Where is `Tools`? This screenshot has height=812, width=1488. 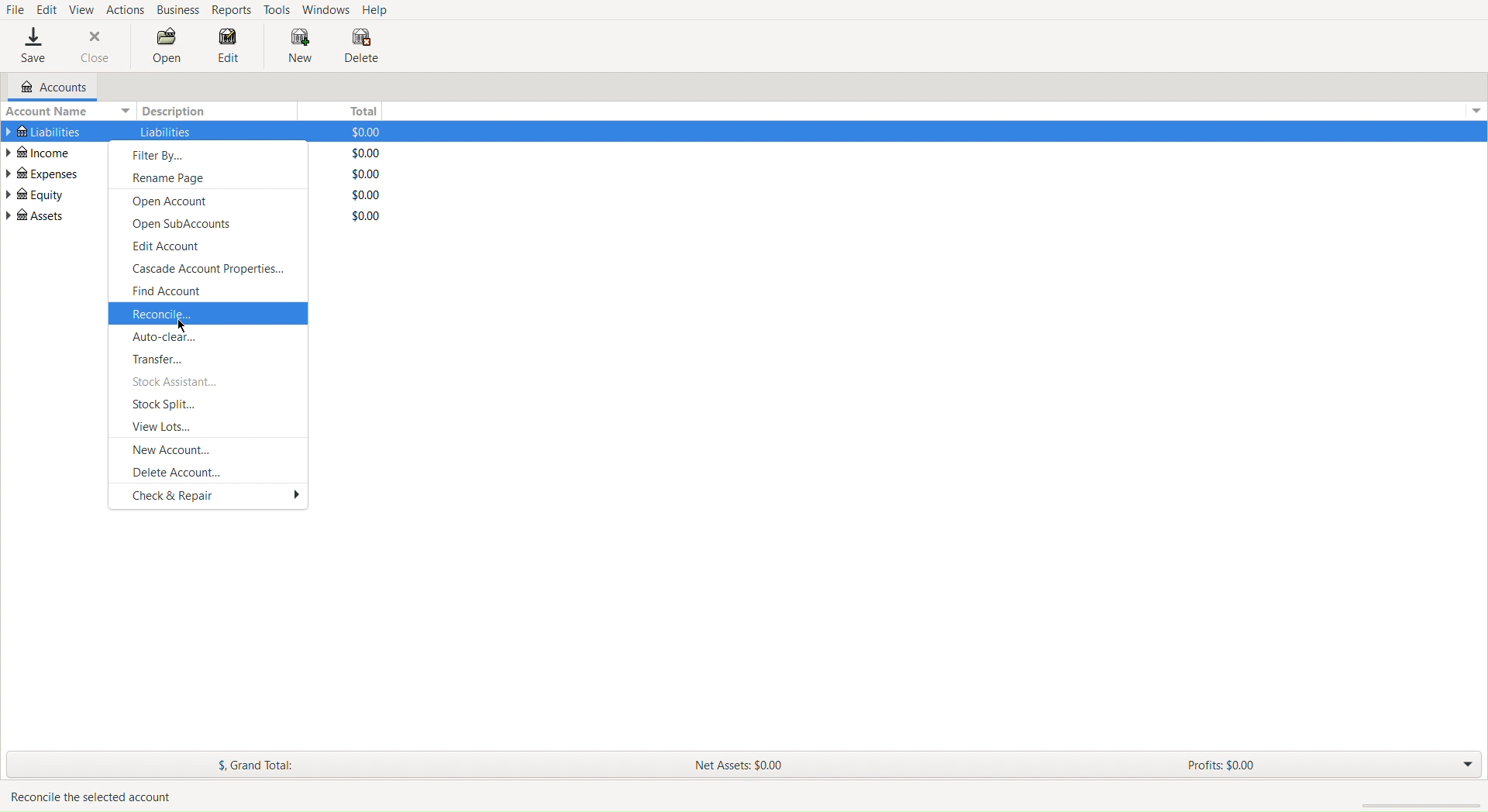
Tools is located at coordinates (277, 9).